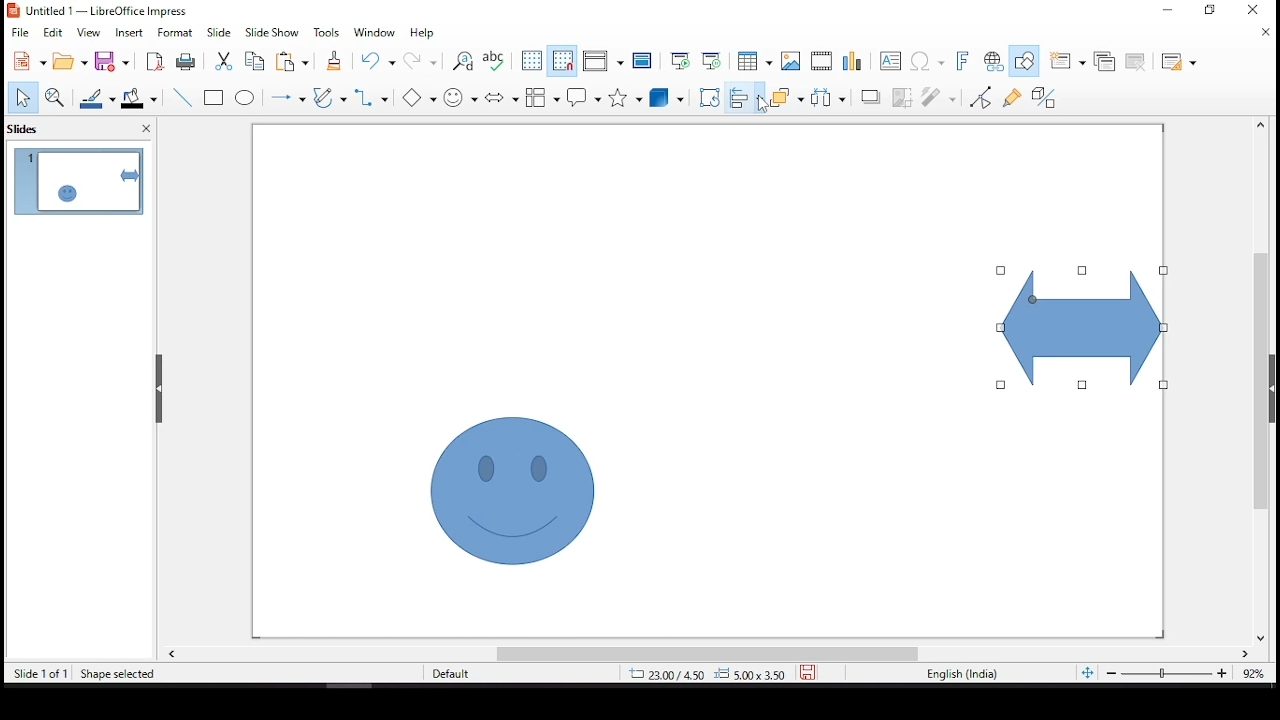 The height and width of the screenshot is (720, 1280). Describe the element at coordinates (251, 61) in the screenshot. I see `copy` at that location.